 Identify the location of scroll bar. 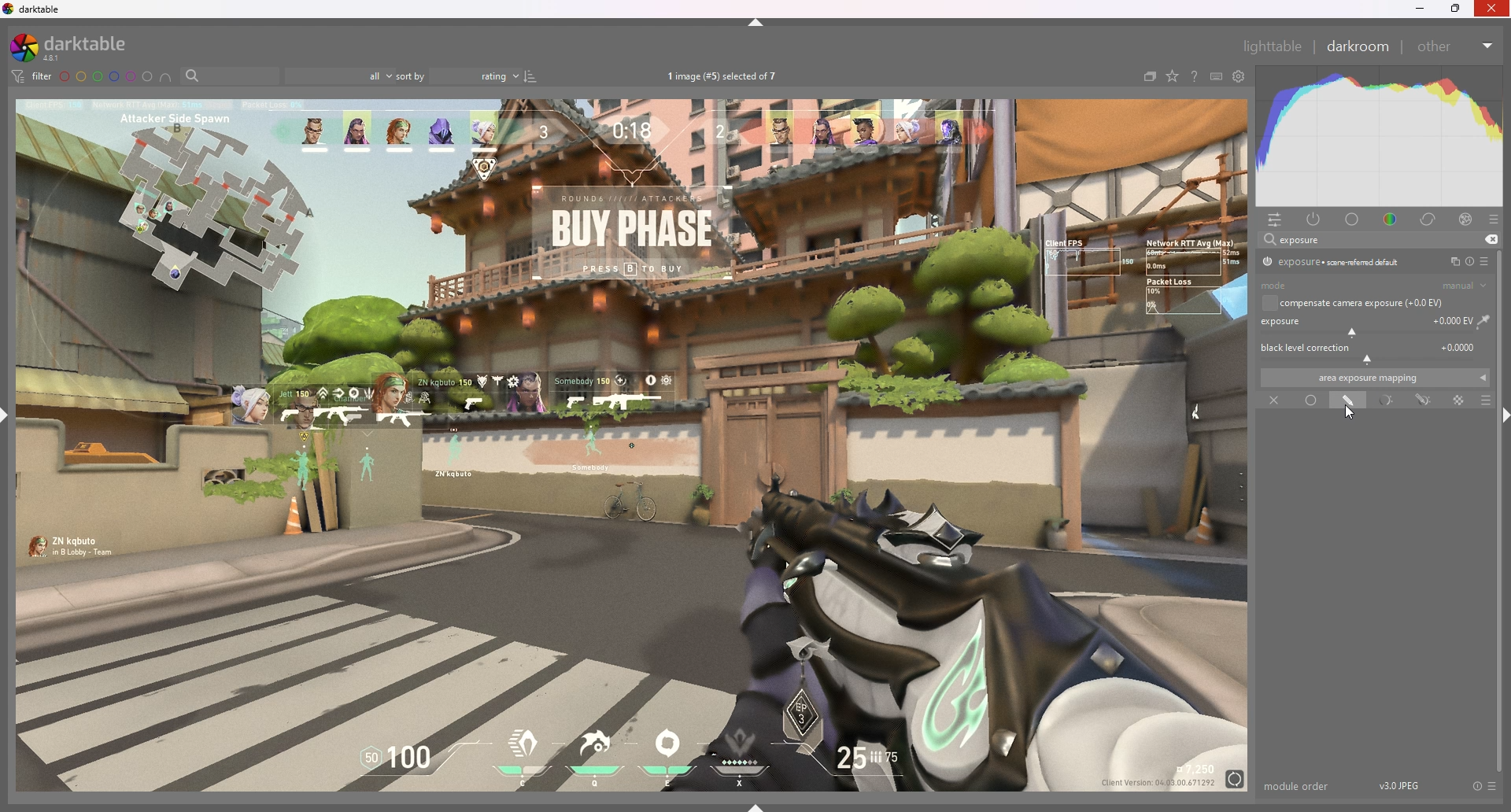
(1505, 578).